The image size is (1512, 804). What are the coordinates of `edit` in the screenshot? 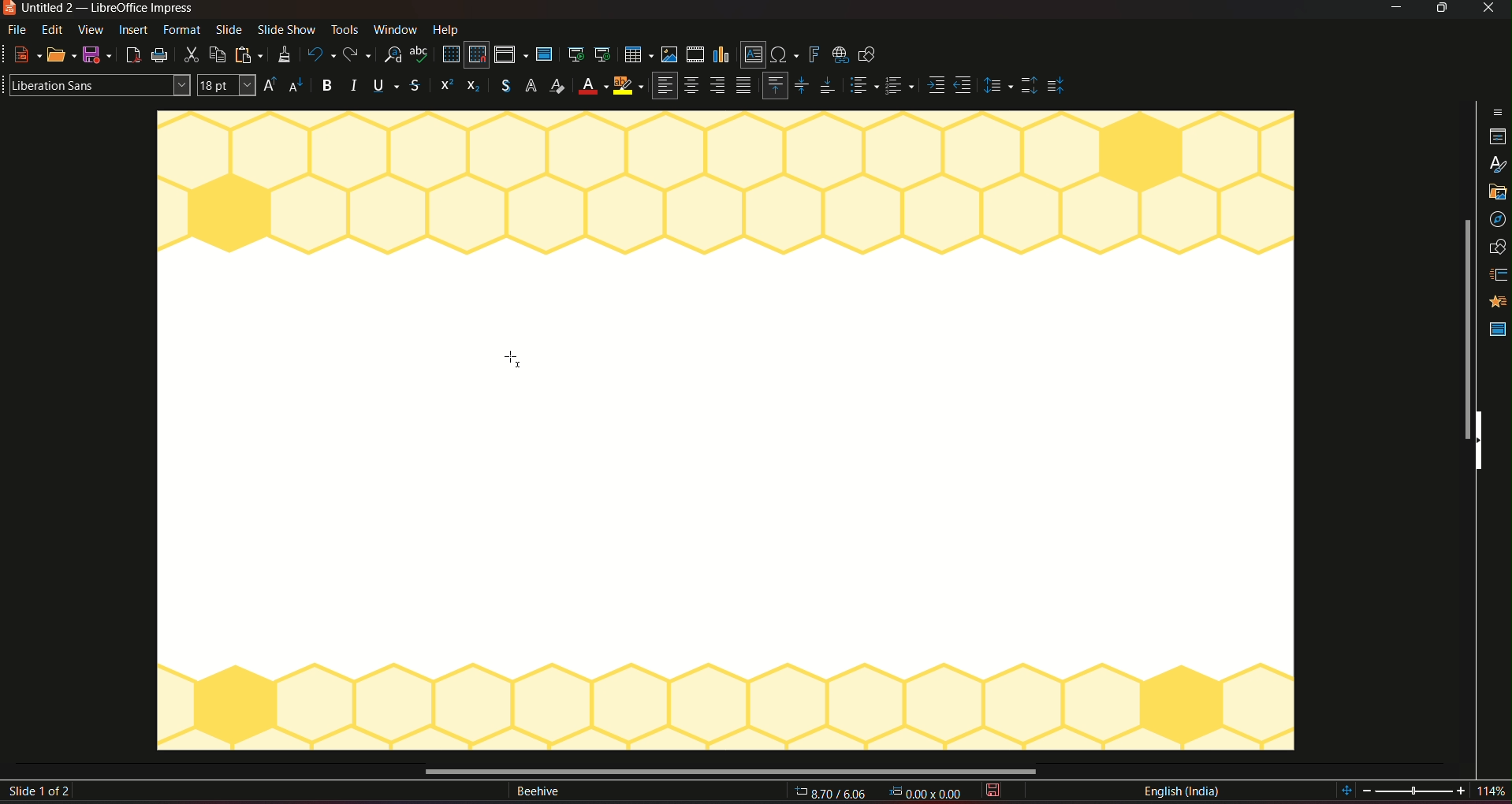 It's located at (53, 31).